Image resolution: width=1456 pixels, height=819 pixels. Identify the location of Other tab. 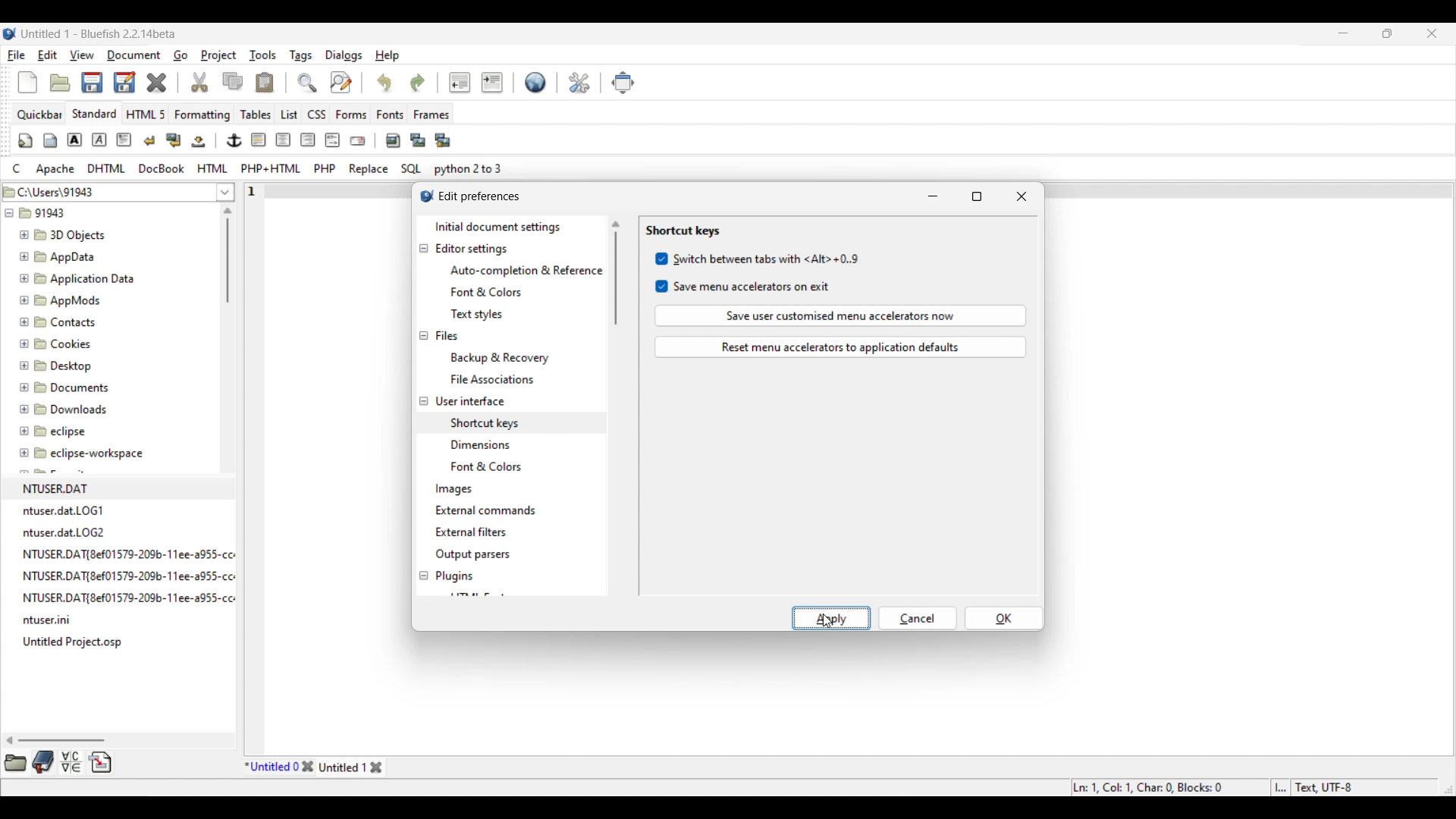
(352, 767).